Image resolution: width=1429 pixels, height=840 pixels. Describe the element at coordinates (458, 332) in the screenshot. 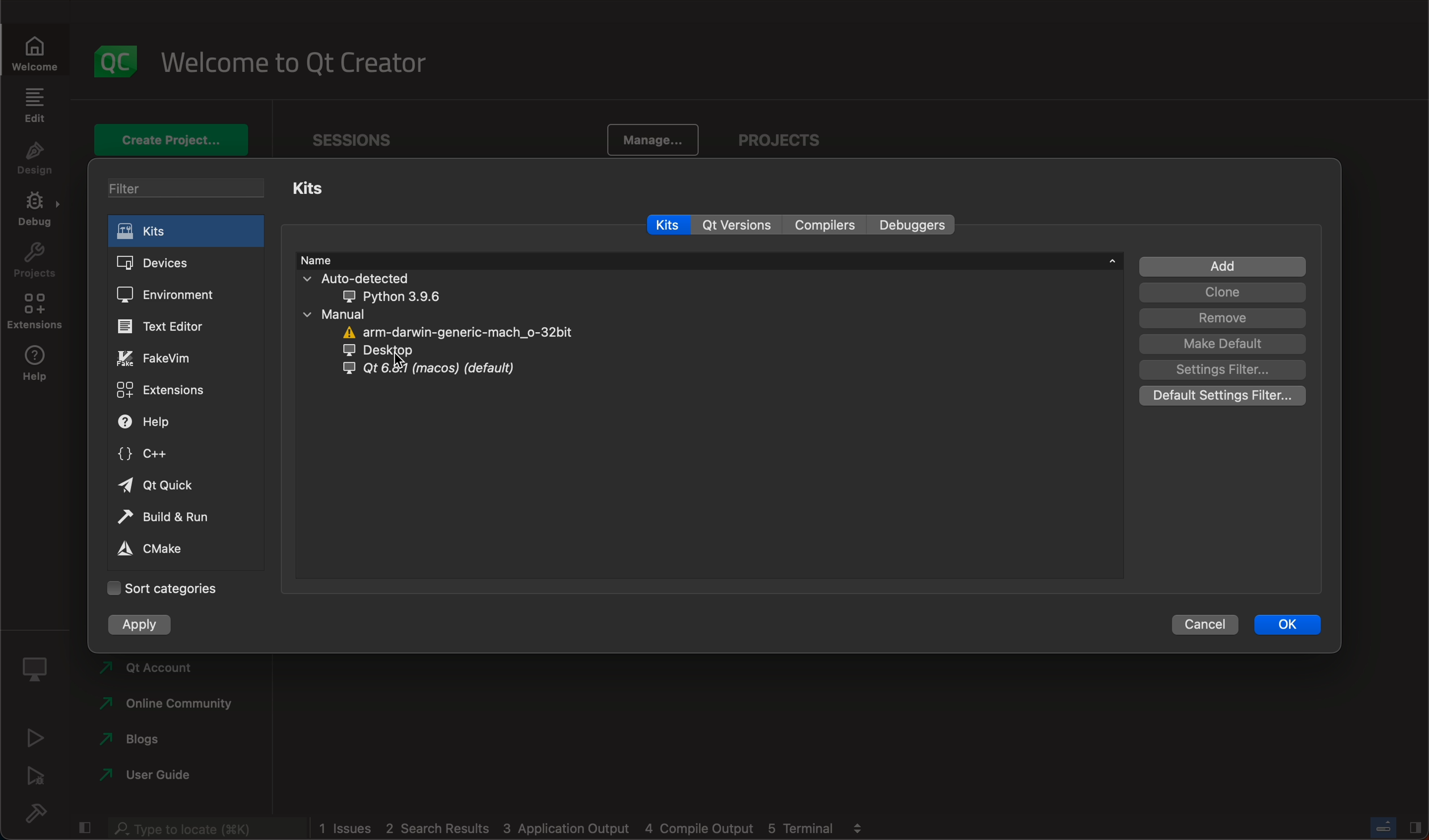

I see `arm-darwin-generic-mach_o-32bit` at that location.